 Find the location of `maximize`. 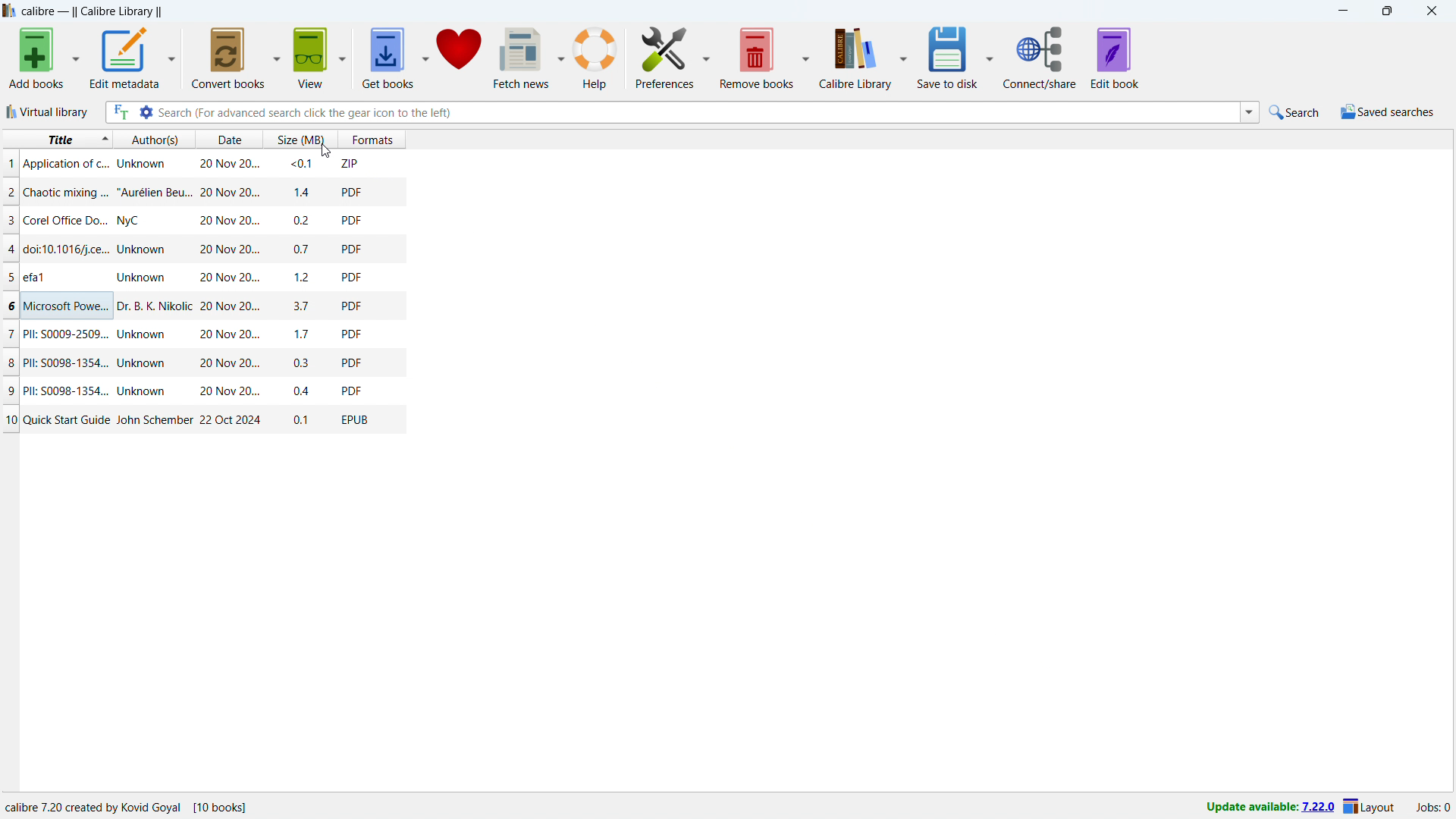

maximize is located at coordinates (1386, 11).